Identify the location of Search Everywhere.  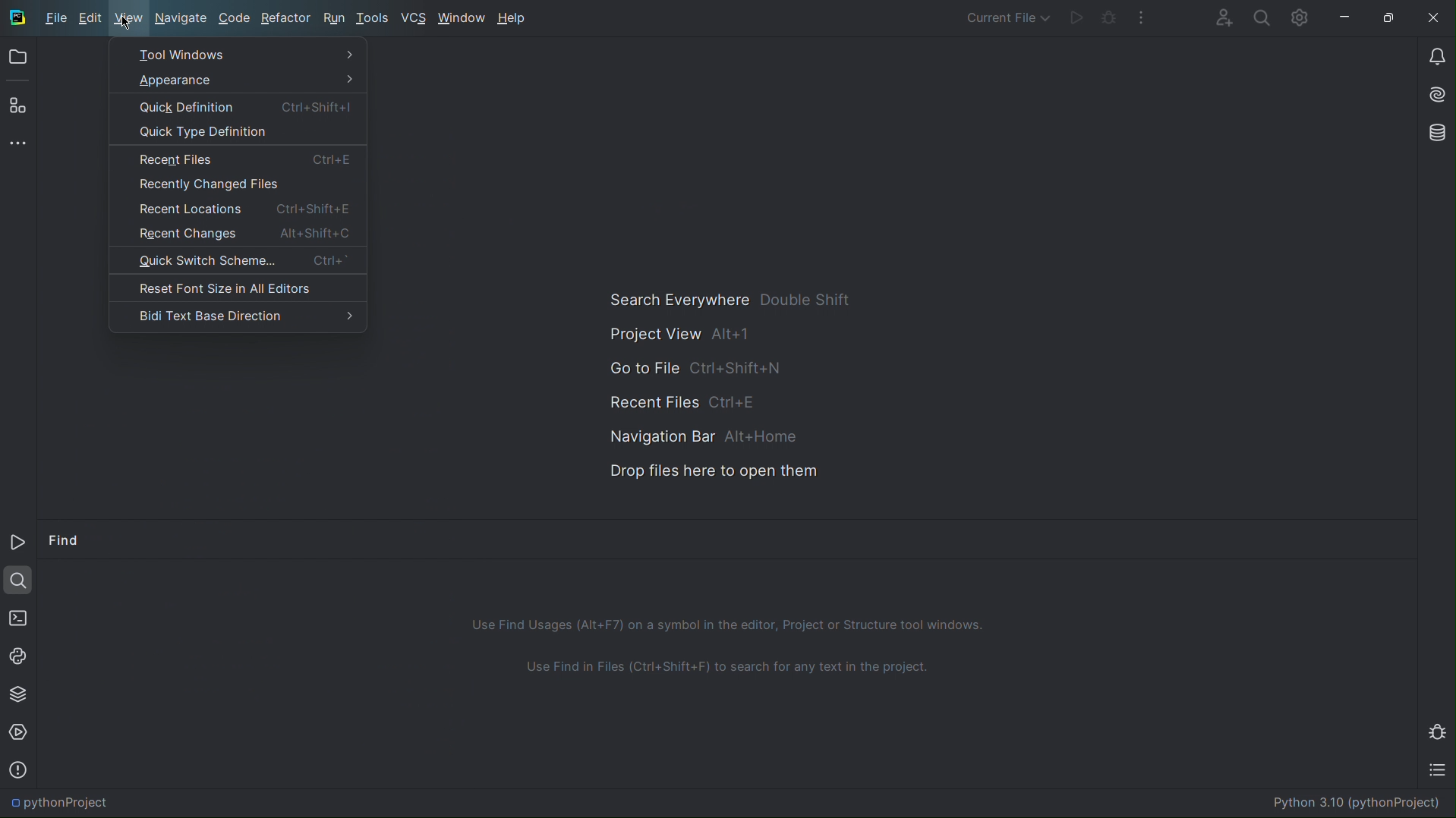
(727, 301).